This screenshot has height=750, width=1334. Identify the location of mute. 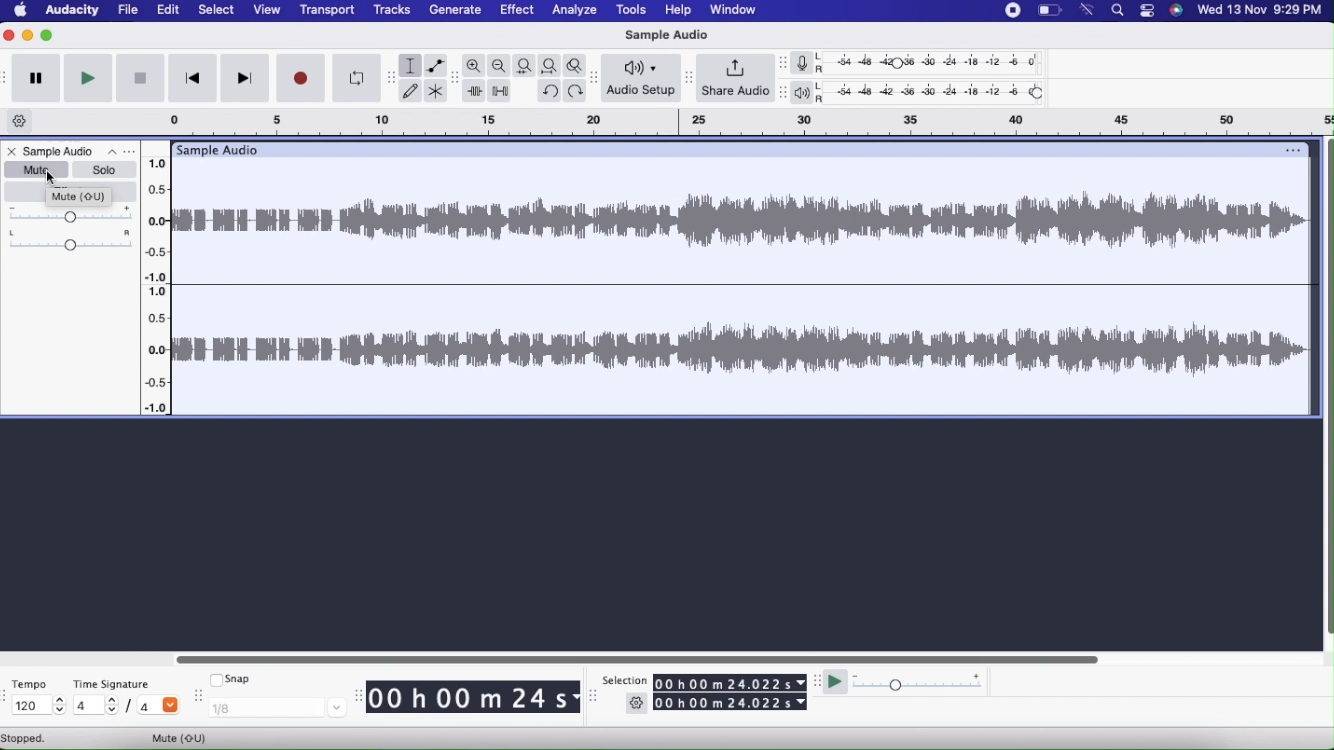
(82, 197).